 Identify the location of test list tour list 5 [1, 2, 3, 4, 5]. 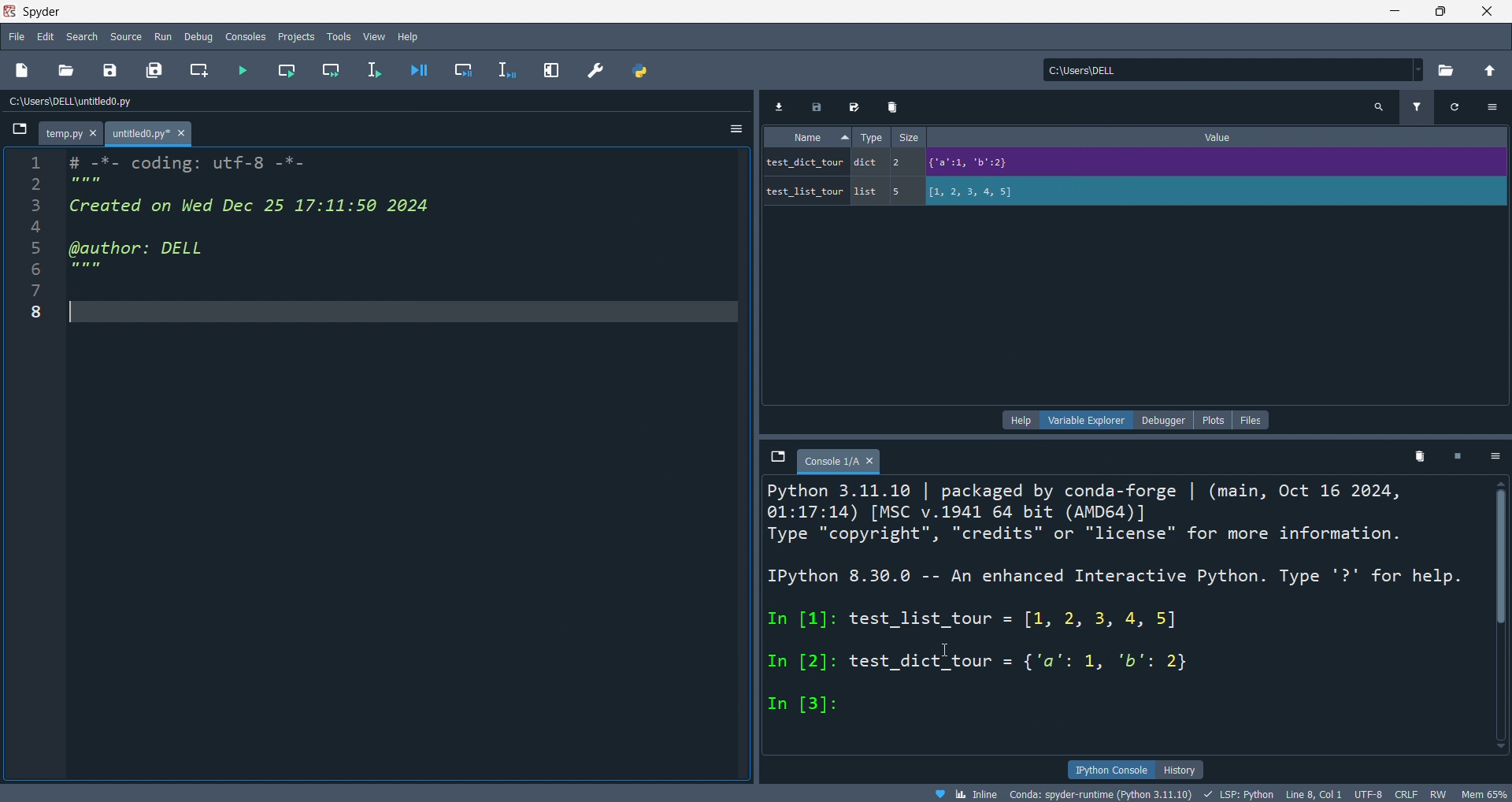
(935, 189).